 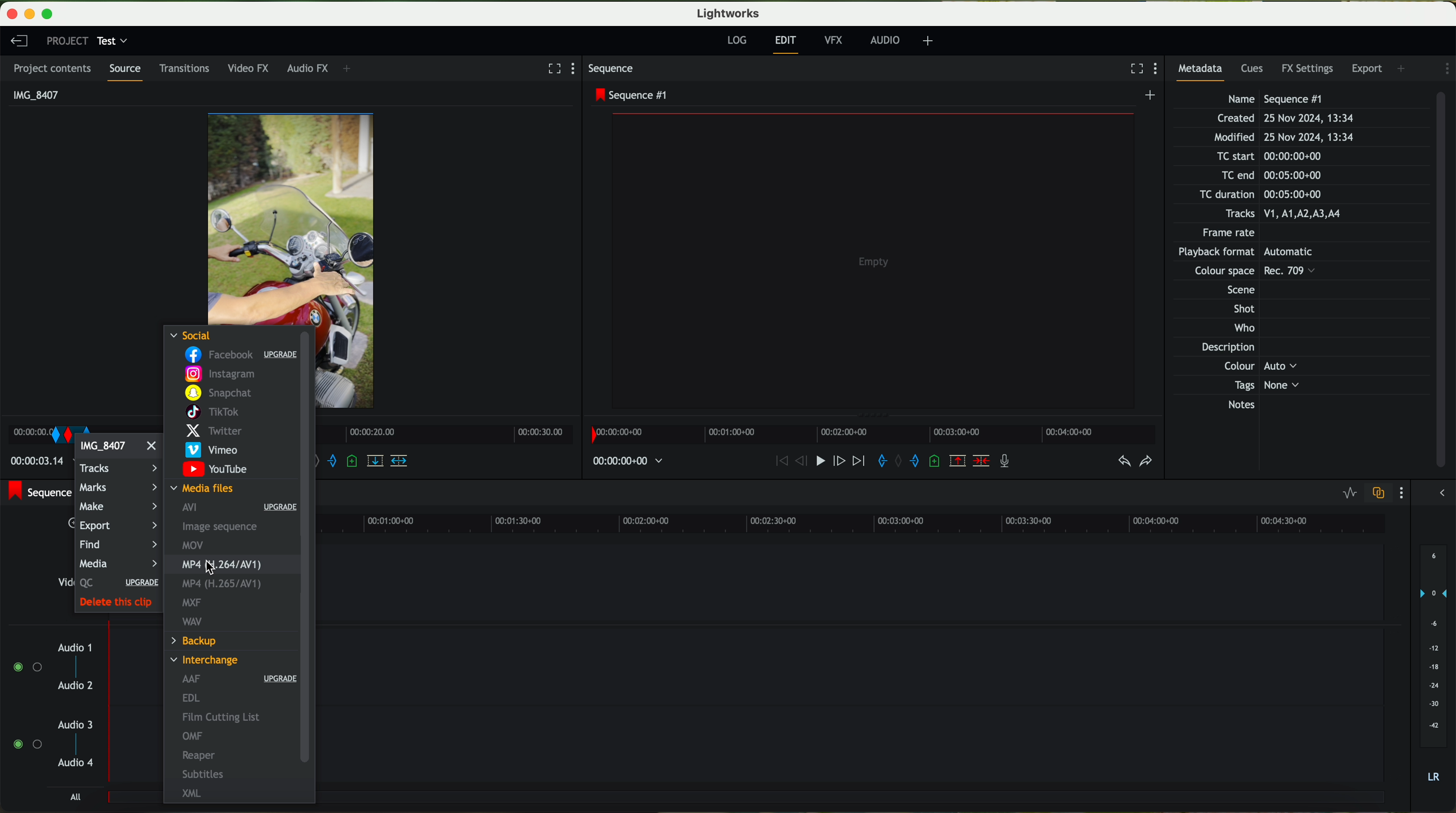 What do you see at coordinates (76, 687) in the screenshot?
I see `audio 2` at bounding box center [76, 687].